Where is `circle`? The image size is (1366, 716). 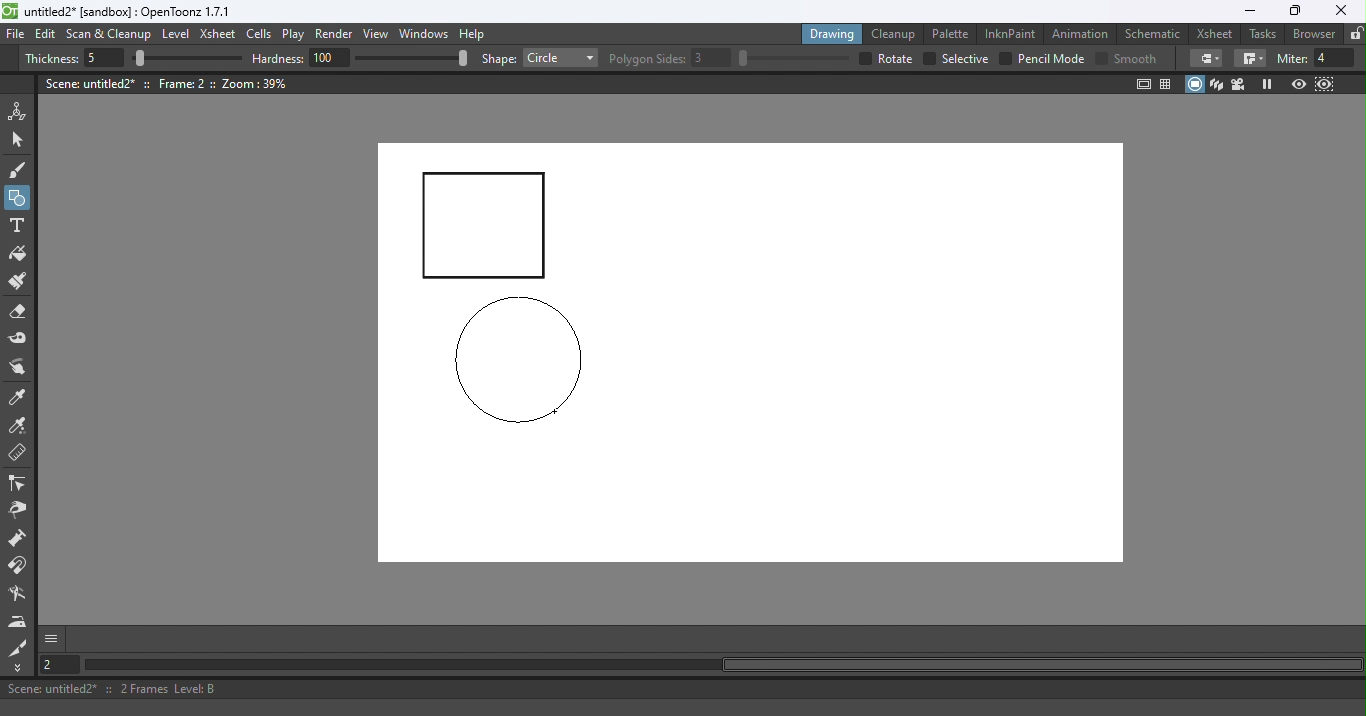 circle is located at coordinates (518, 361).